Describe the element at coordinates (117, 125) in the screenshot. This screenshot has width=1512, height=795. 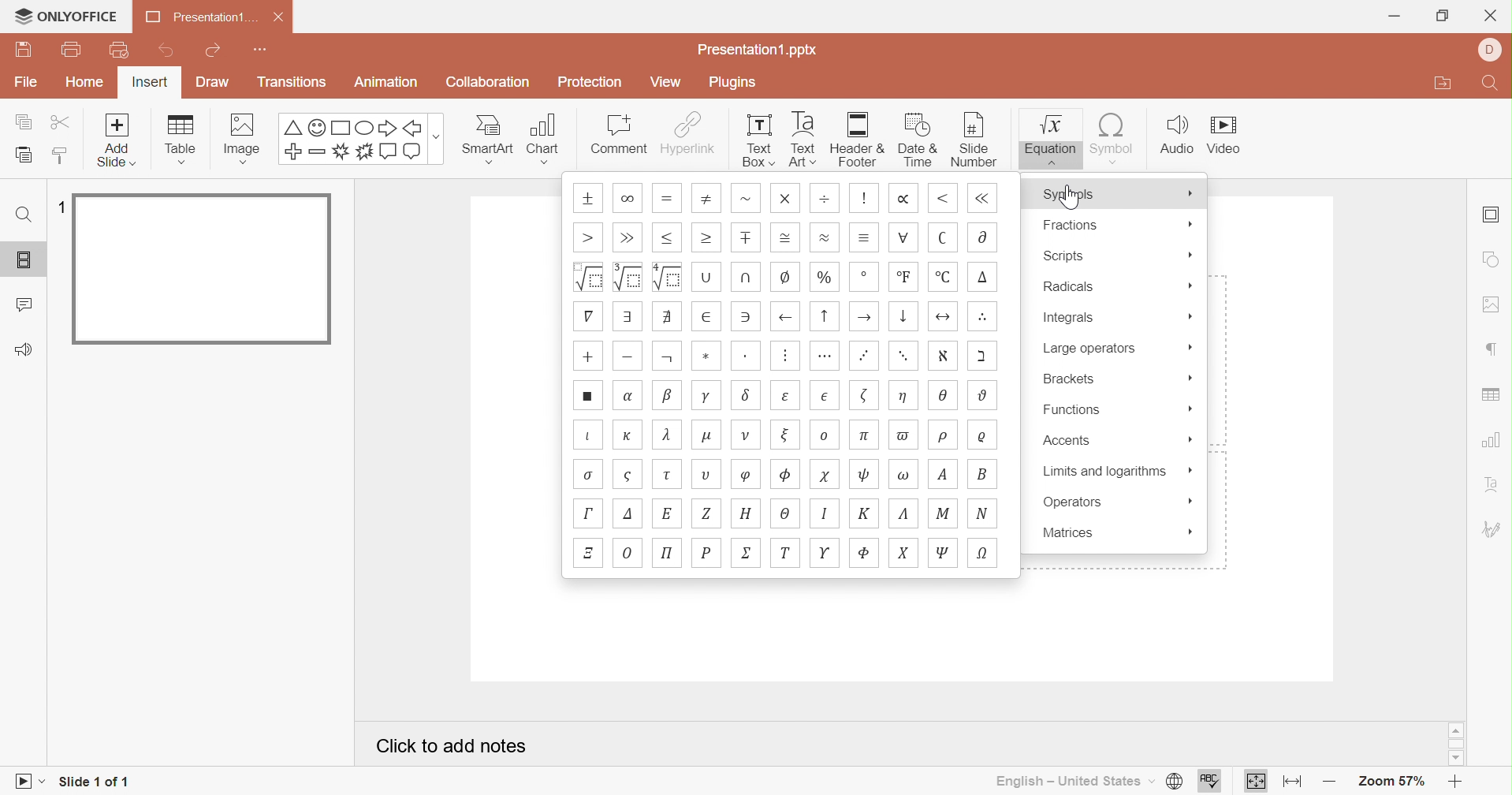
I see `add slide` at that location.